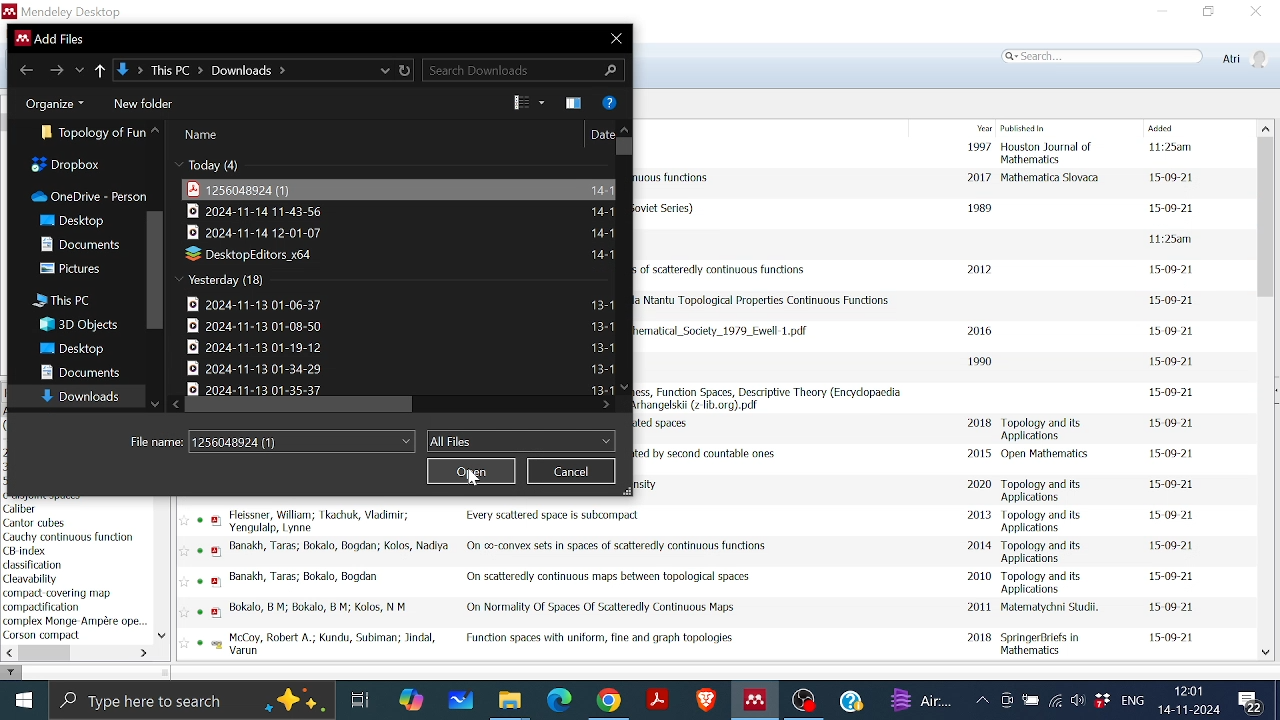  Describe the element at coordinates (978, 208) in the screenshot. I see `1989` at that location.